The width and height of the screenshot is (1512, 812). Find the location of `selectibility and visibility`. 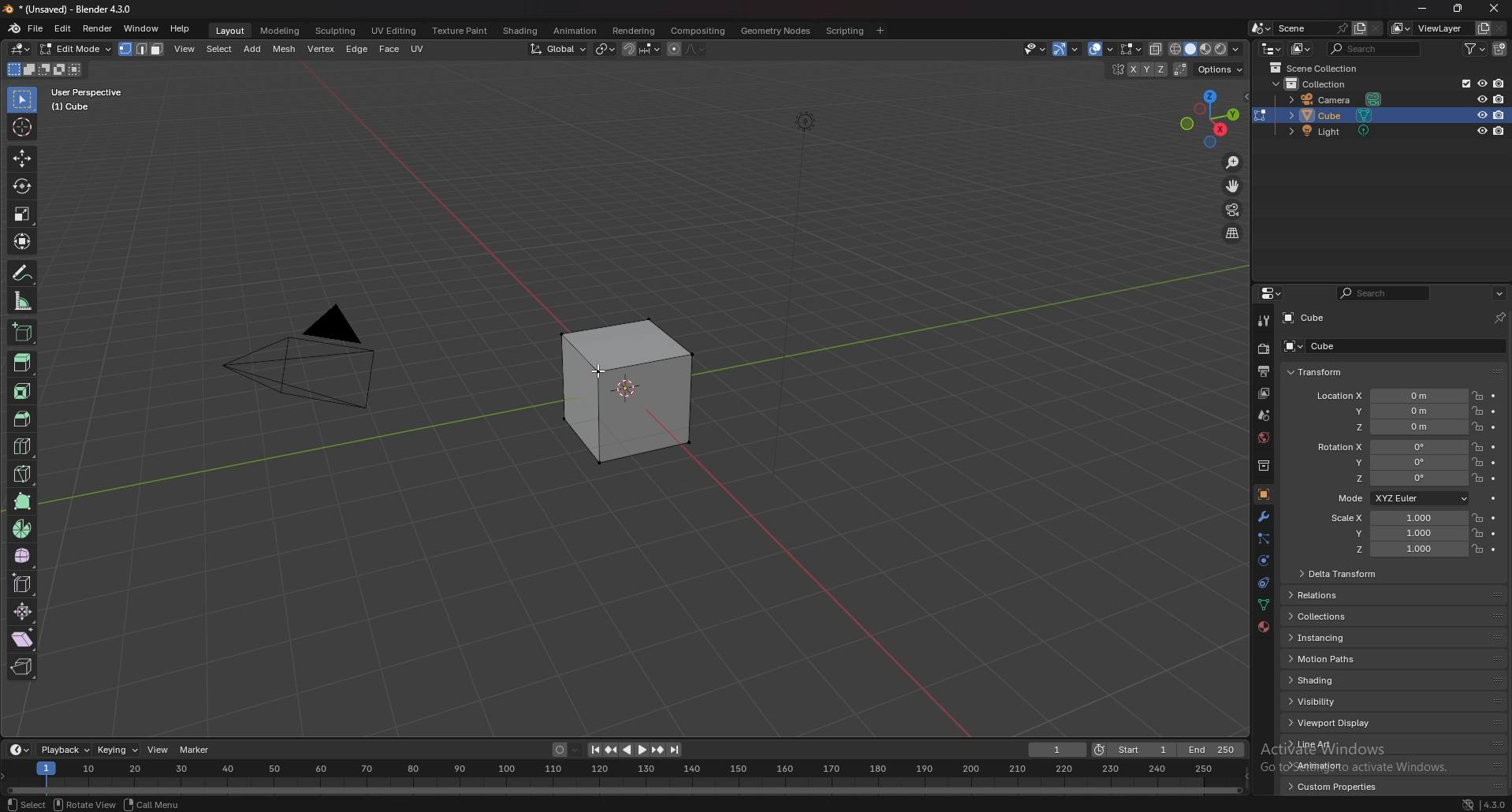

selectibility and visibility is located at coordinates (1035, 49).